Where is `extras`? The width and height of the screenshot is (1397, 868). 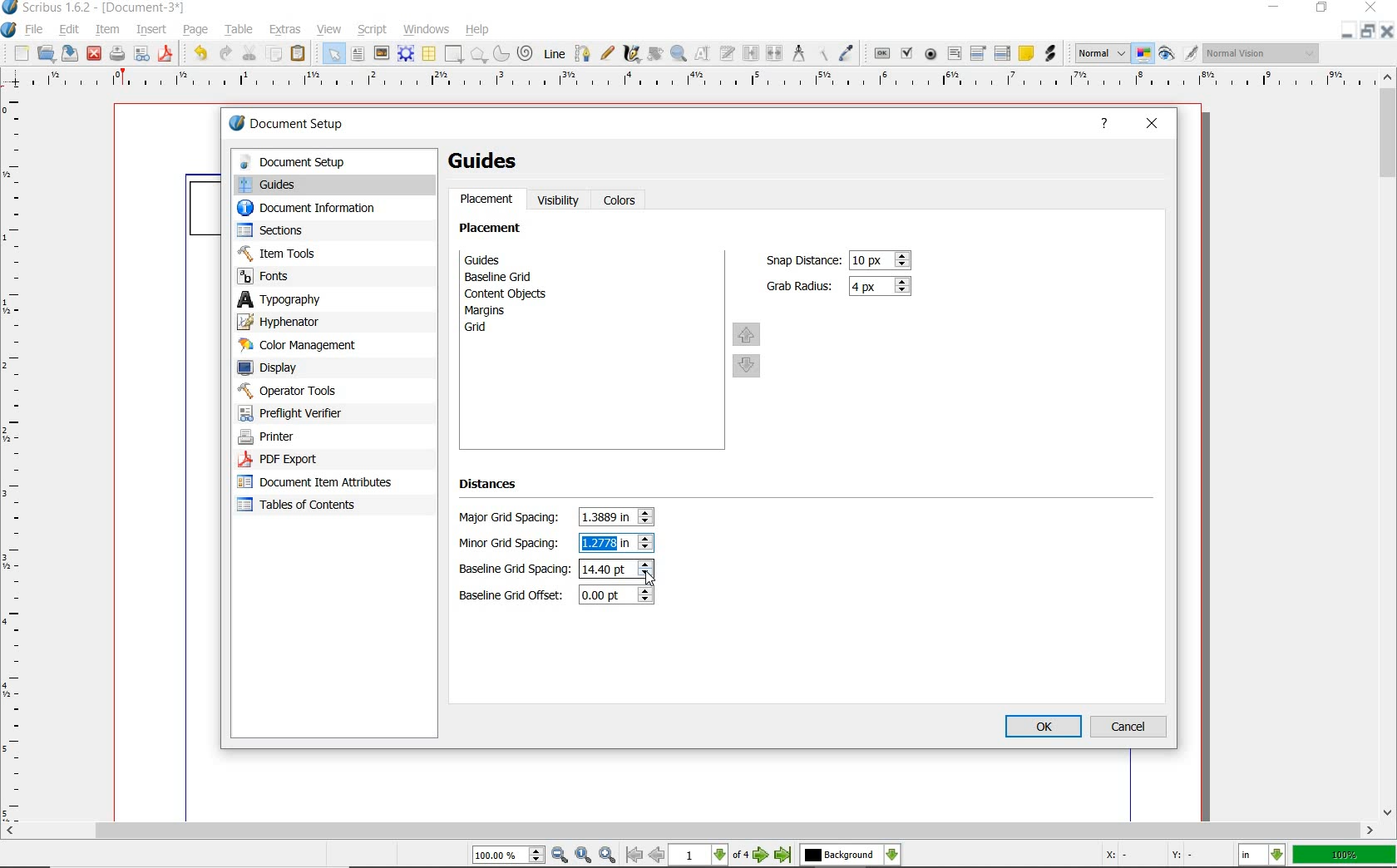
extras is located at coordinates (287, 28).